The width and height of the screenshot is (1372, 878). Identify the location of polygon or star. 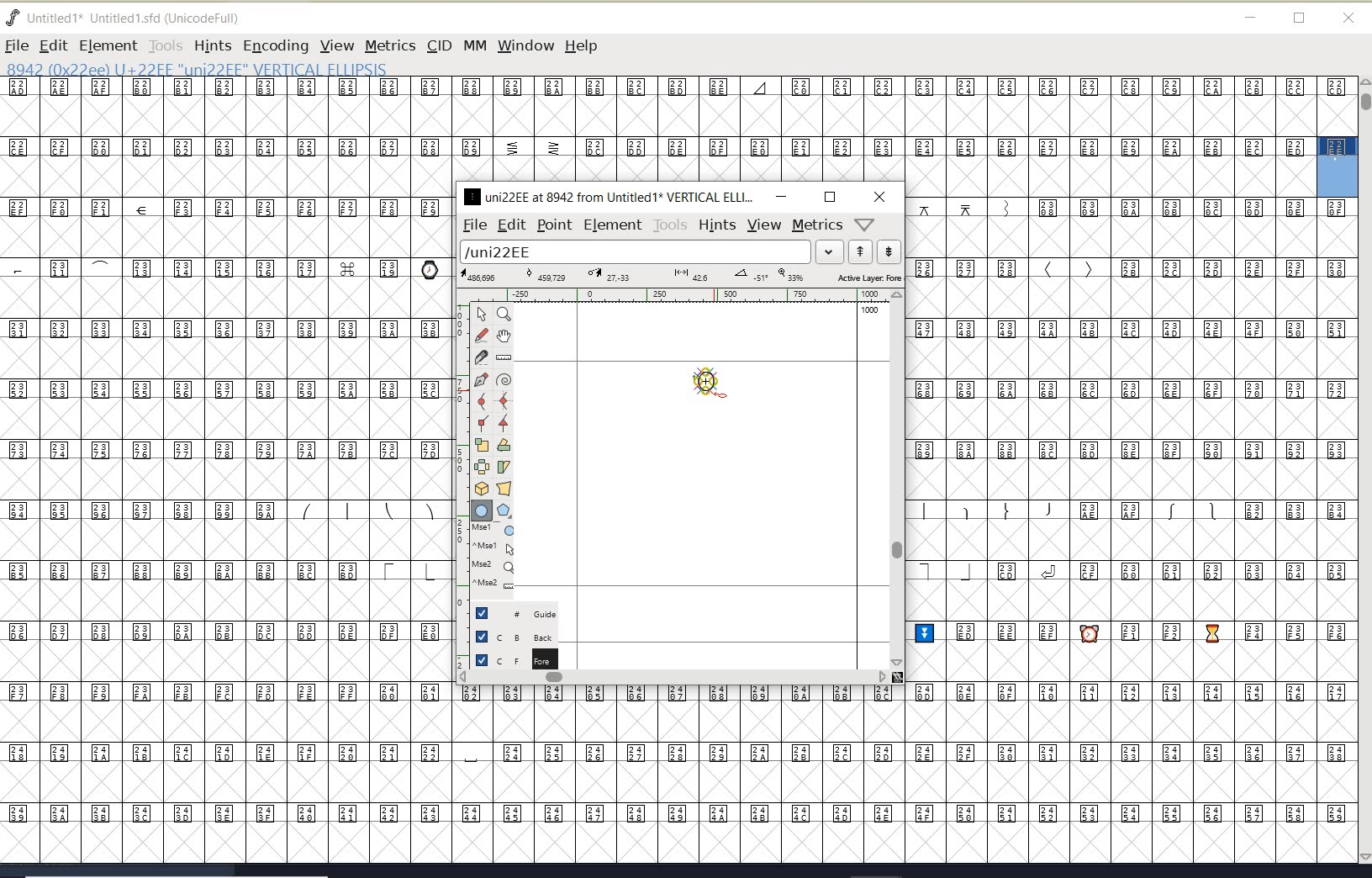
(504, 512).